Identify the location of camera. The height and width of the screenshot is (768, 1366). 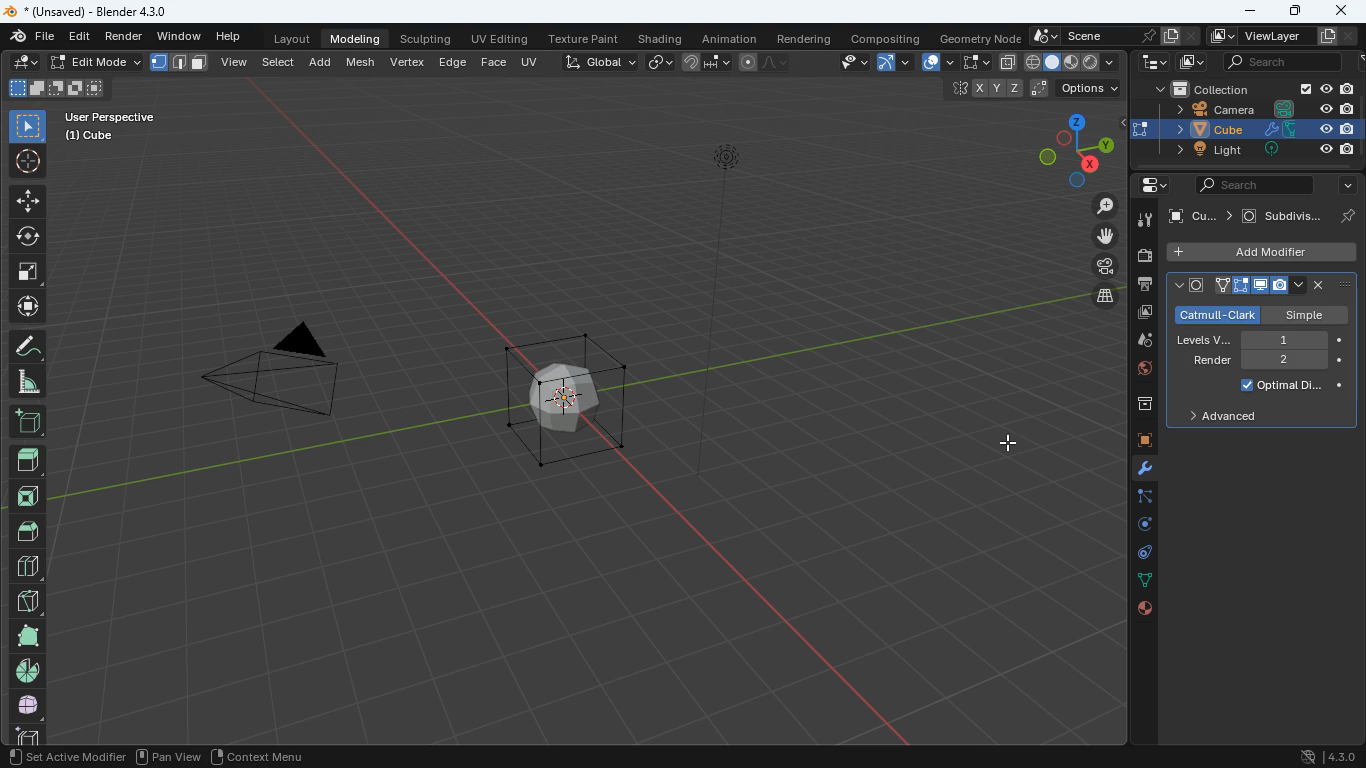
(1143, 257).